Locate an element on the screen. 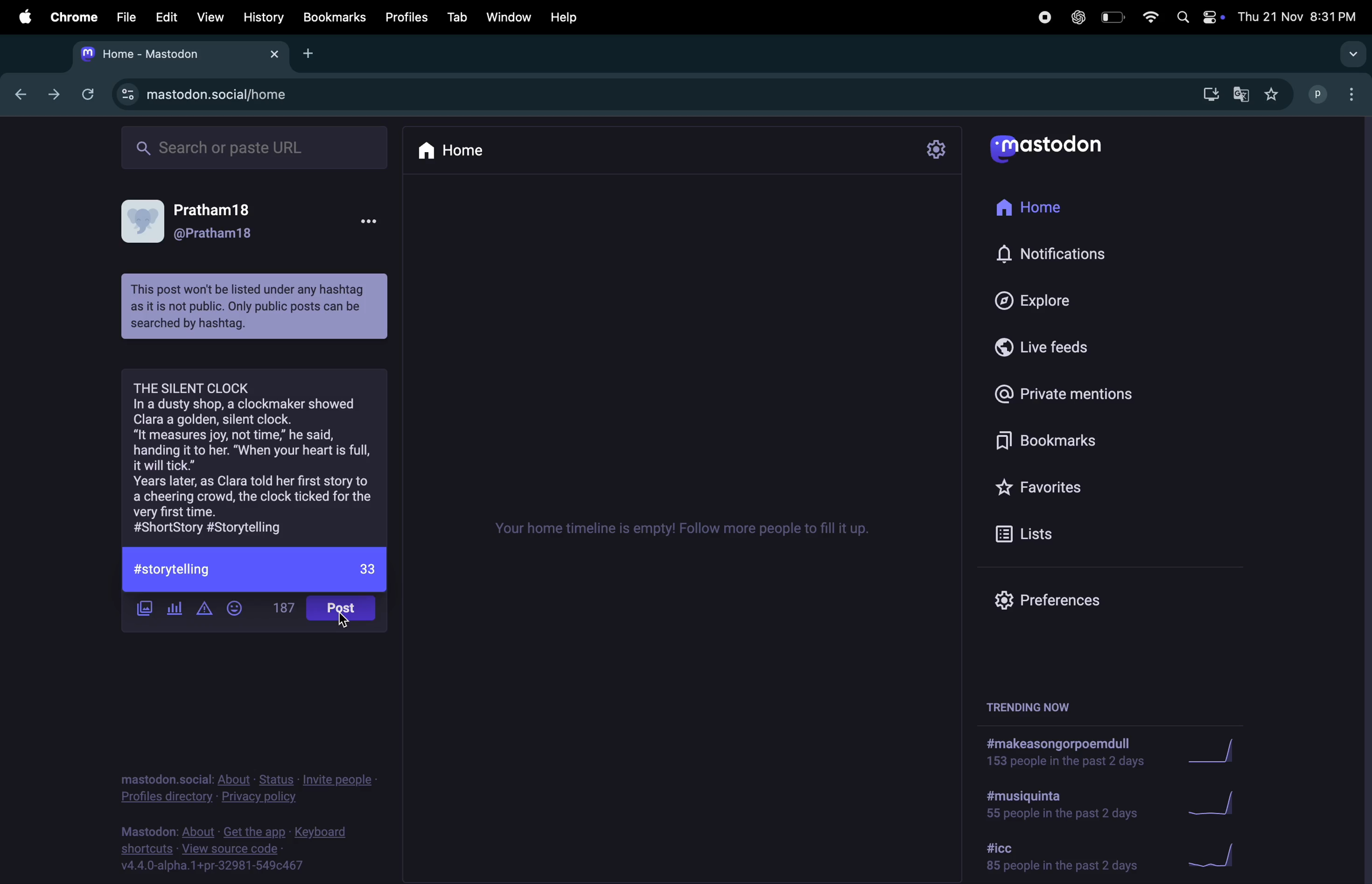  story is located at coordinates (258, 462).